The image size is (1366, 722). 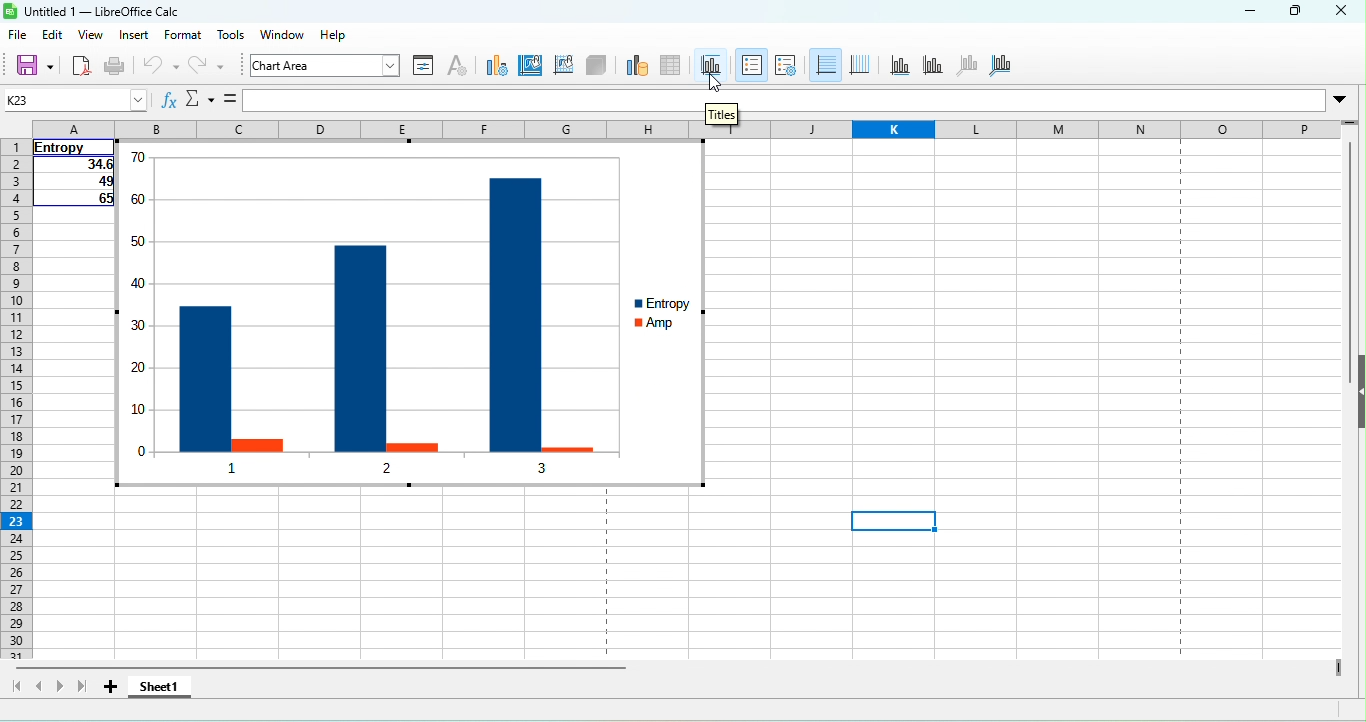 What do you see at coordinates (19, 38) in the screenshot?
I see `file` at bounding box center [19, 38].